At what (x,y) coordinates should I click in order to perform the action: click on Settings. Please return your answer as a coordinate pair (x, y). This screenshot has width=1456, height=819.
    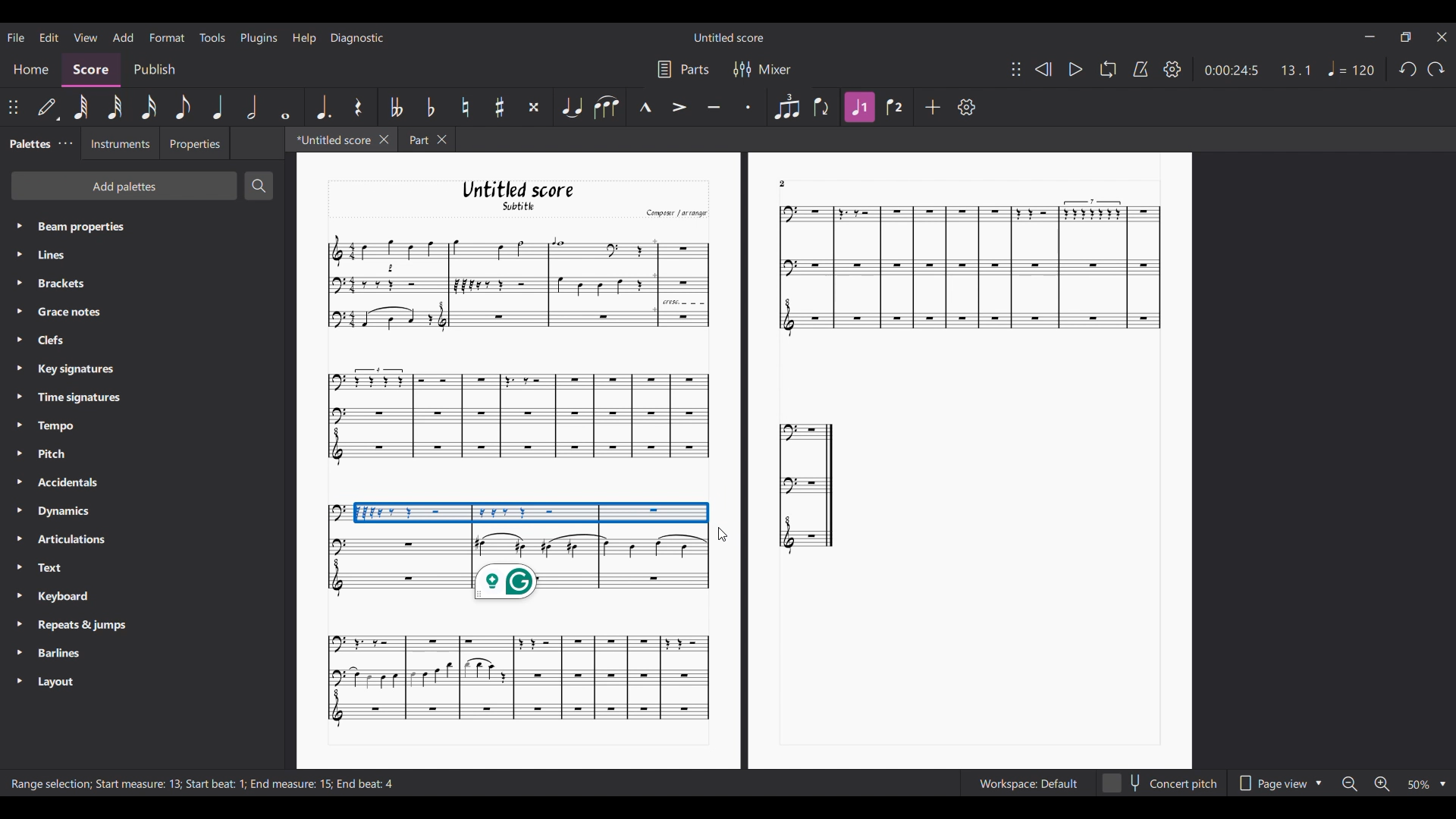
    Looking at the image, I should click on (967, 107).